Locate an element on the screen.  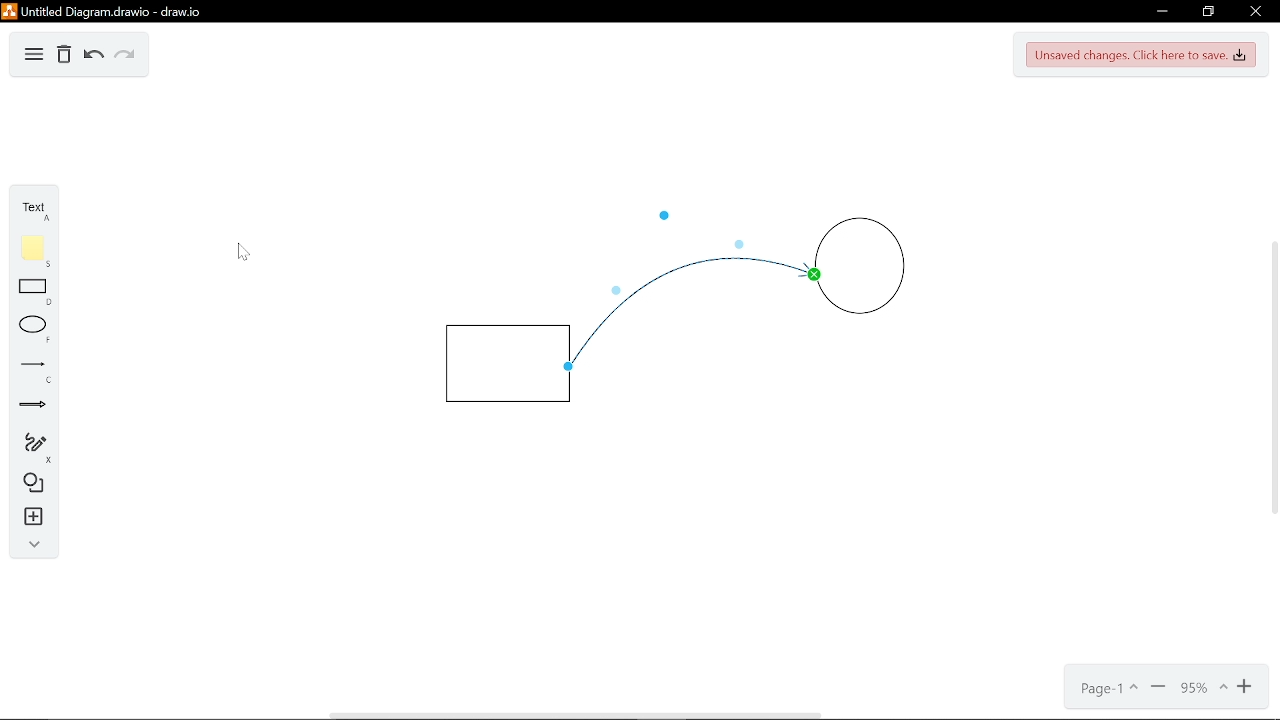
Diagram is located at coordinates (30, 482).